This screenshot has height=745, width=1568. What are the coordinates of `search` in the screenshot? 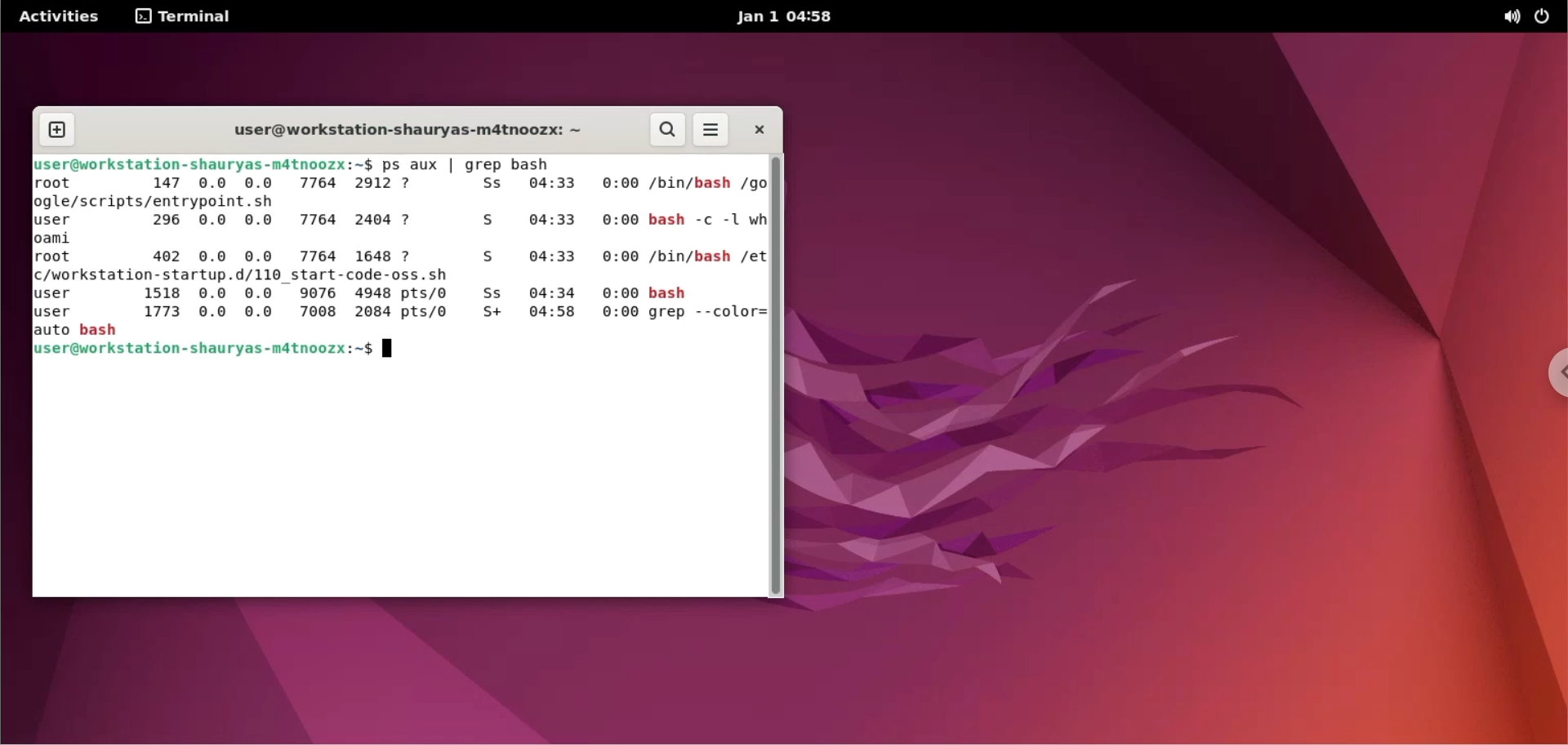 It's located at (669, 131).